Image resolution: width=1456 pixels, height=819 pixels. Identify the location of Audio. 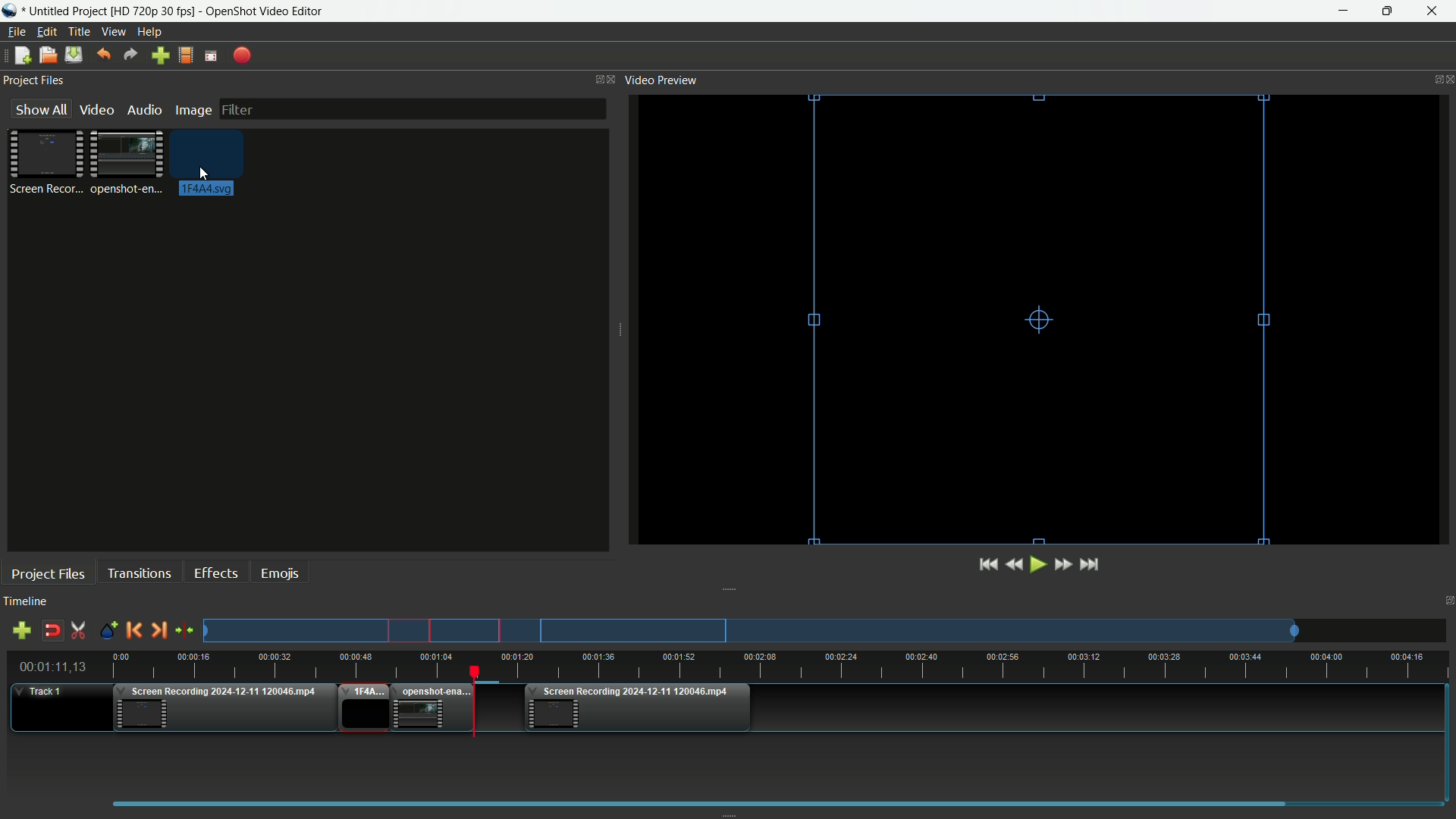
(144, 110).